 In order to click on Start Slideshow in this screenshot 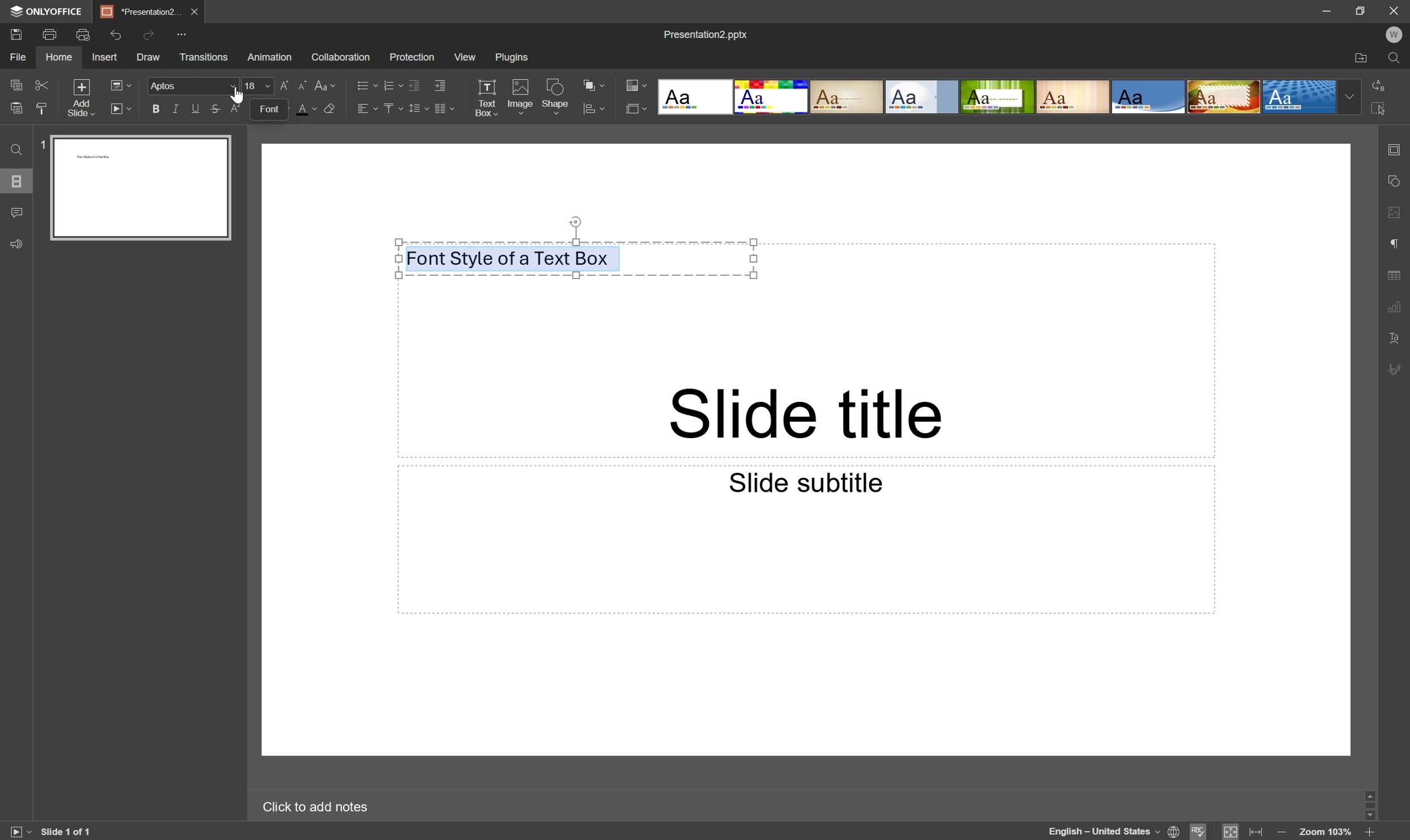, I will do `click(19, 832)`.